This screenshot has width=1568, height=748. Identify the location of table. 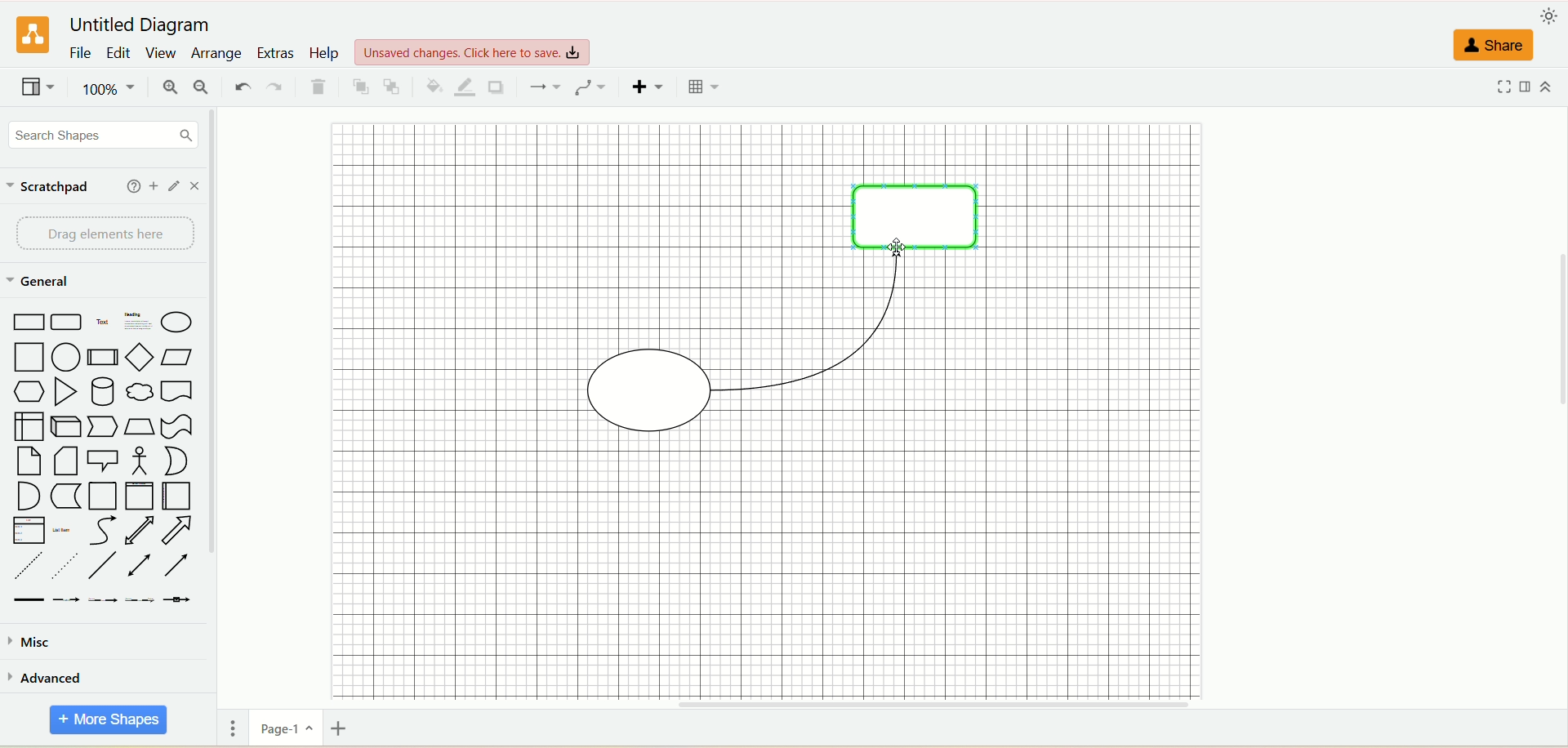
(702, 87).